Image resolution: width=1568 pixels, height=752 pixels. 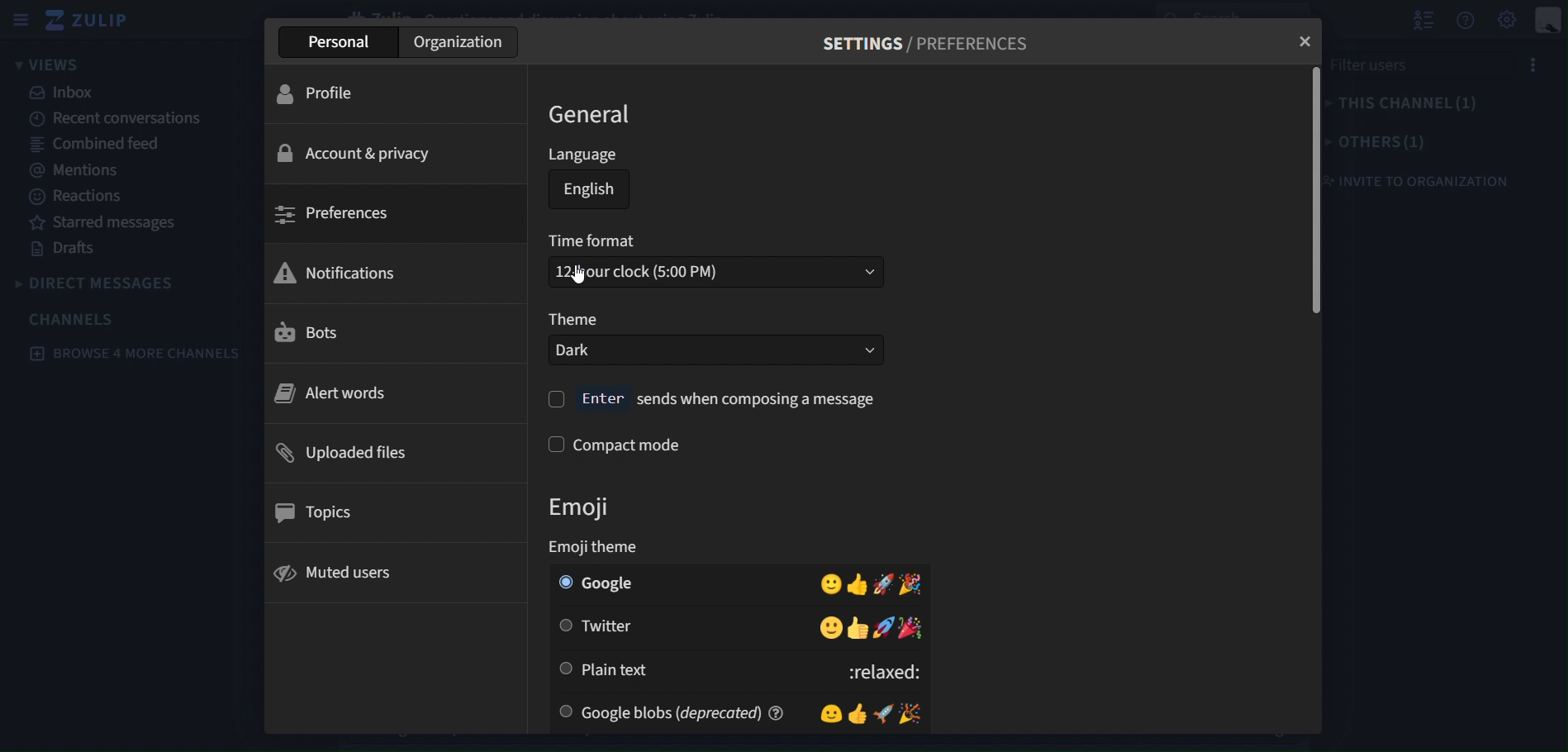 I want to click on zulip, so click(x=89, y=18).